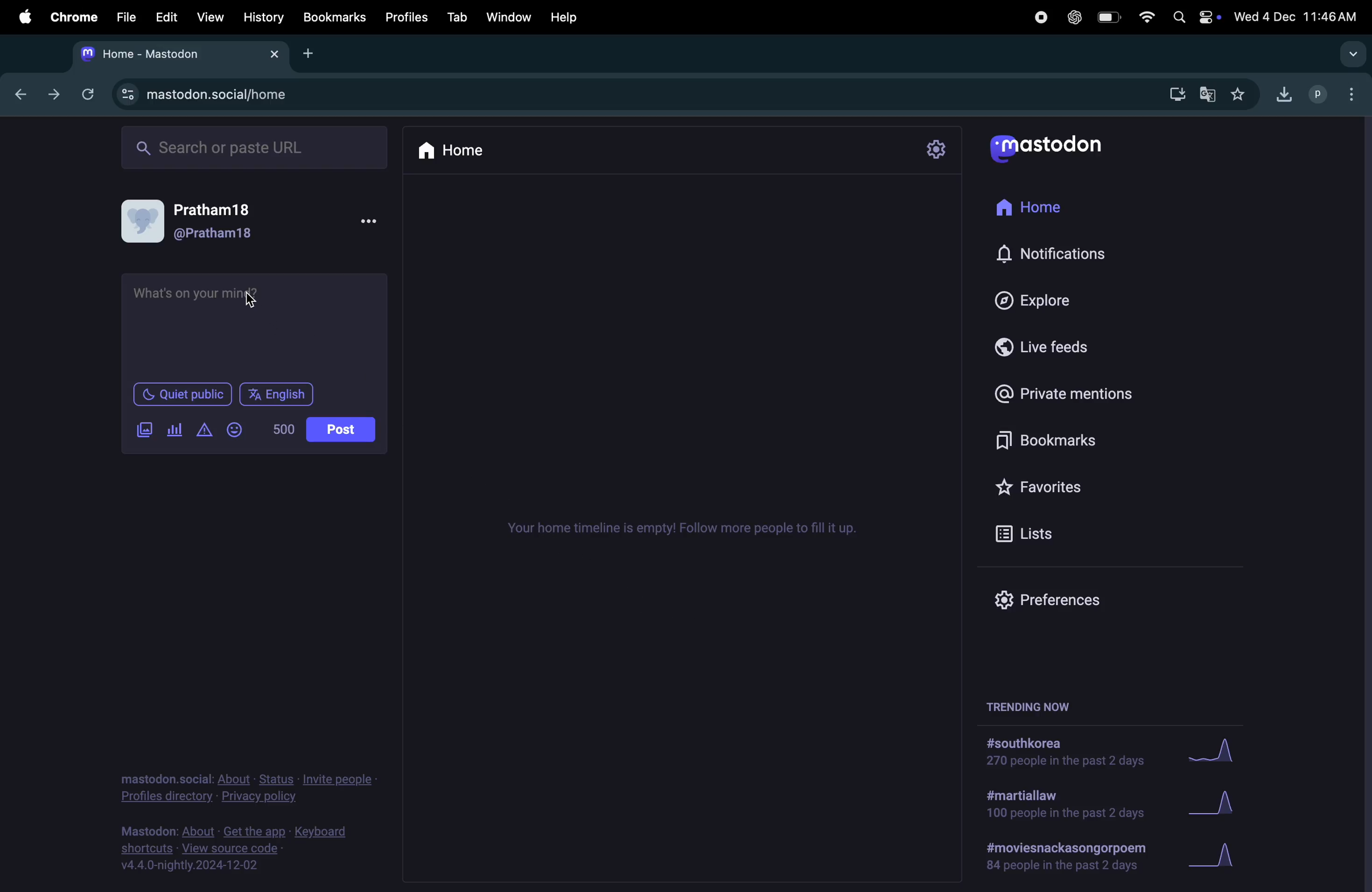 The image size is (1372, 892). I want to click on notifications, so click(1051, 255).